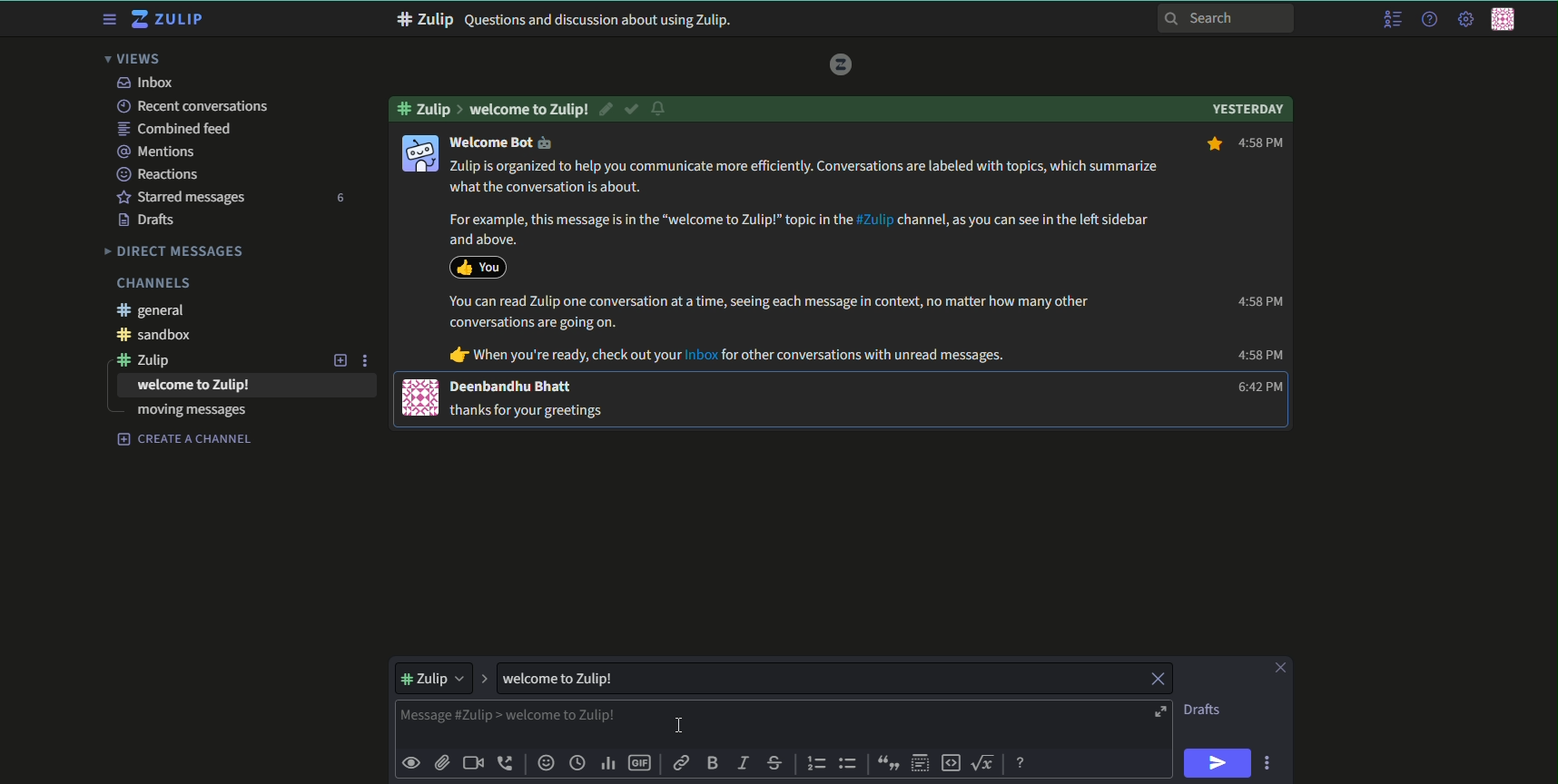 The width and height of the screenshot is (1558, 784). I want to click on 4:58 PM, so click(1258, 301).